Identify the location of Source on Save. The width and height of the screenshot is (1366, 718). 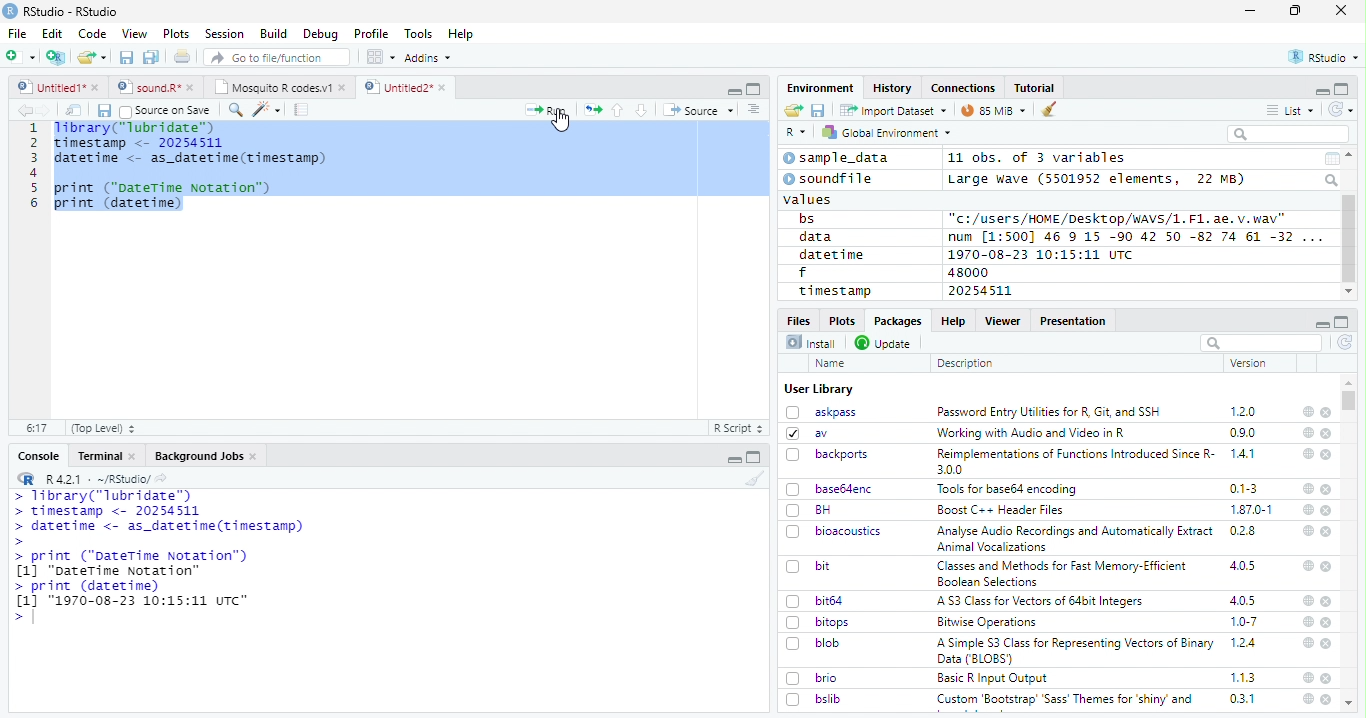
(164, 110).